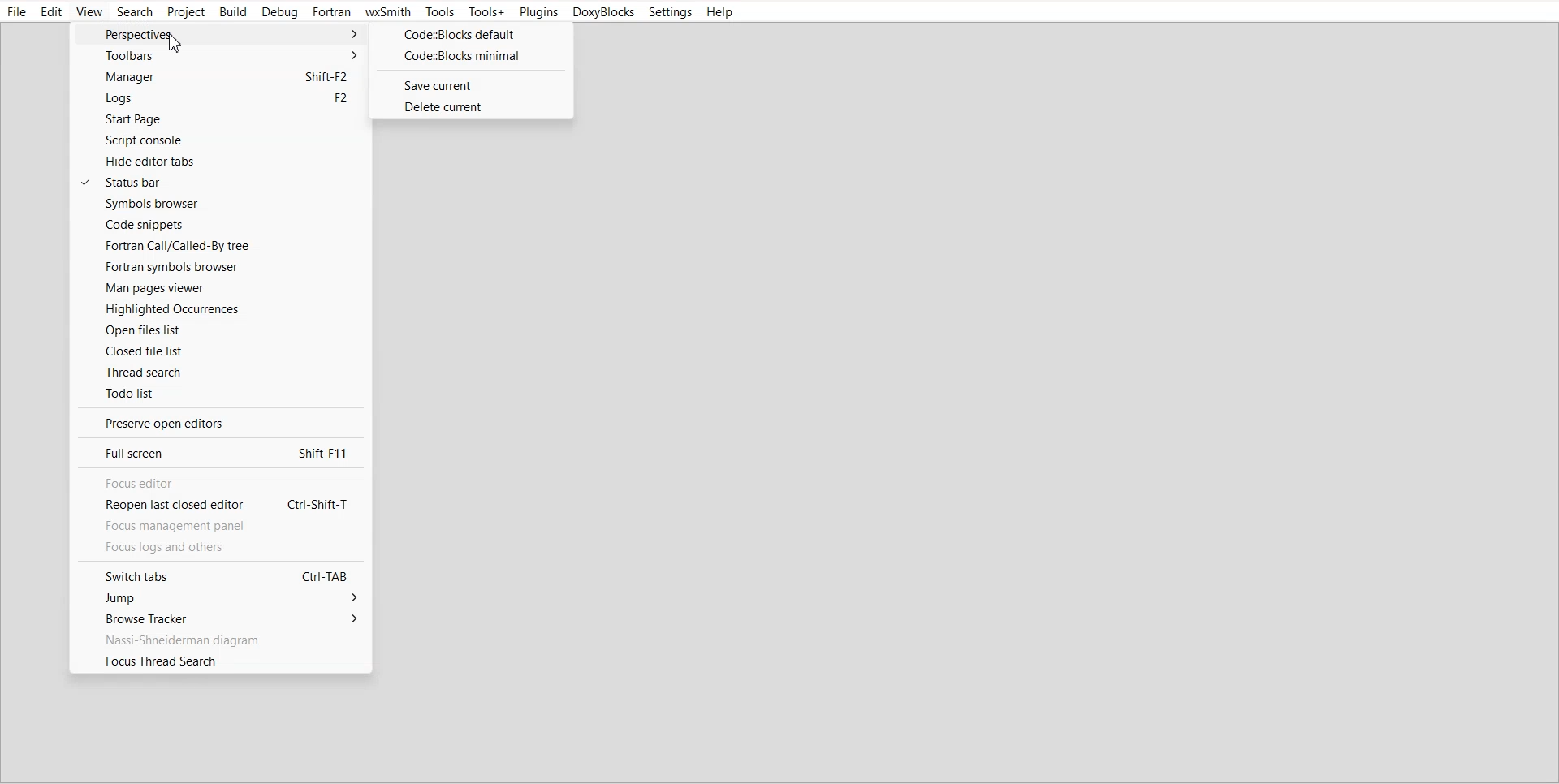 The width and height of the screenshot is (1559, 784). Describe the element at coordinates (721, 12) in the screenshot. I see `Help` at that location.